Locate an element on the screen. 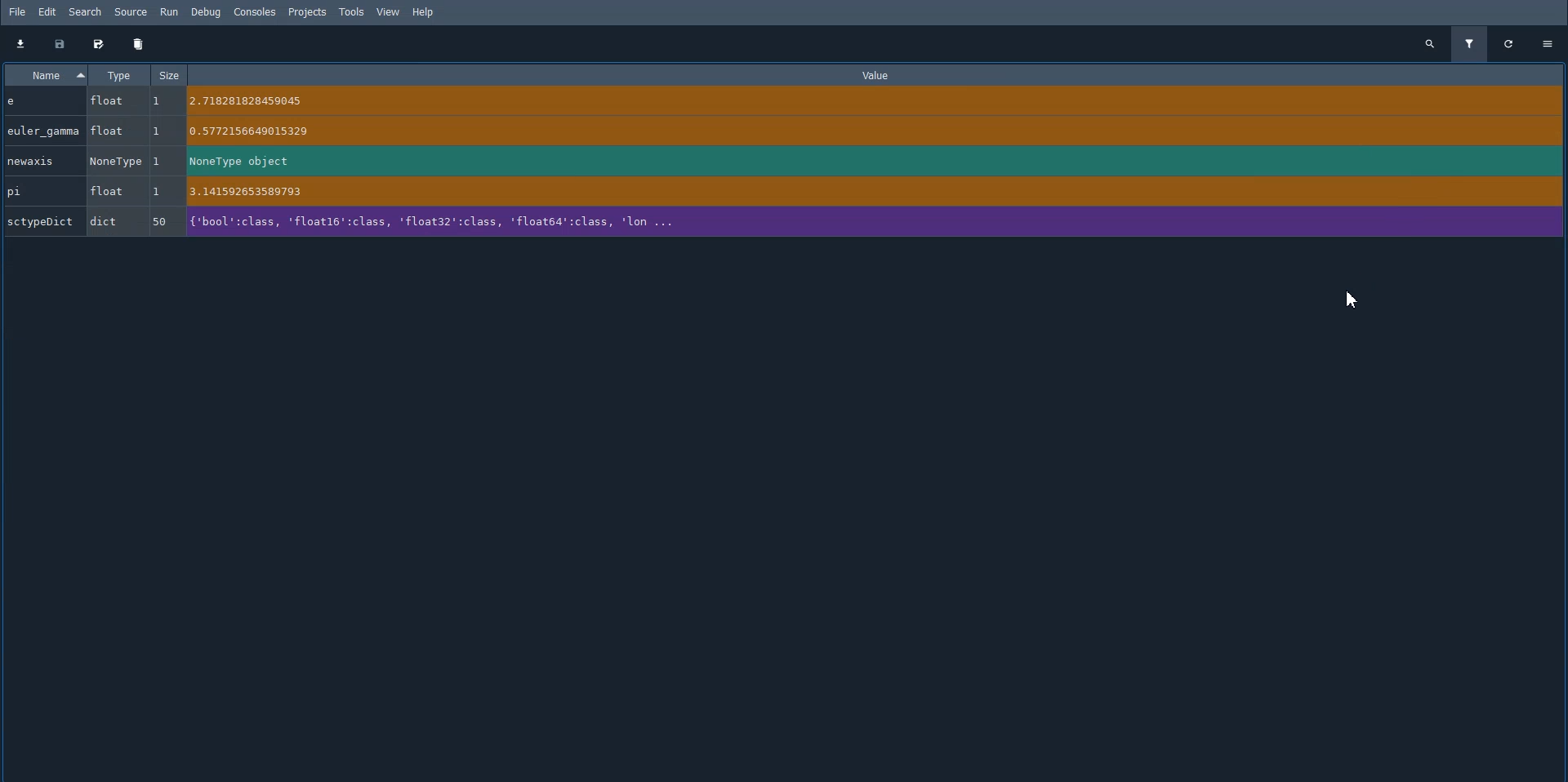  1 is located at coordinates (163, 131).